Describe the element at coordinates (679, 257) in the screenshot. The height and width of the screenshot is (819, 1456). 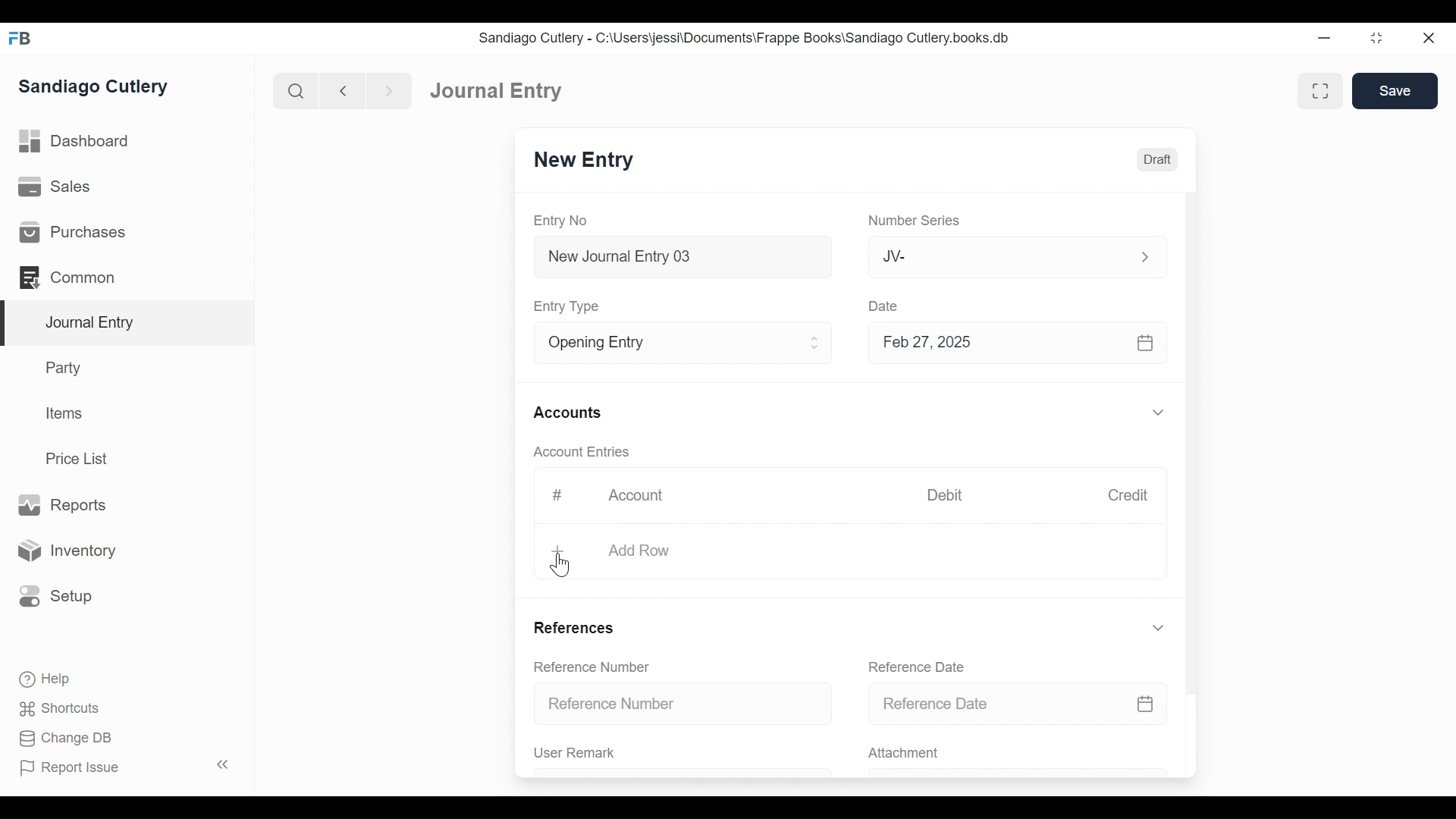
I see `New Journal Entry 03` at that location.